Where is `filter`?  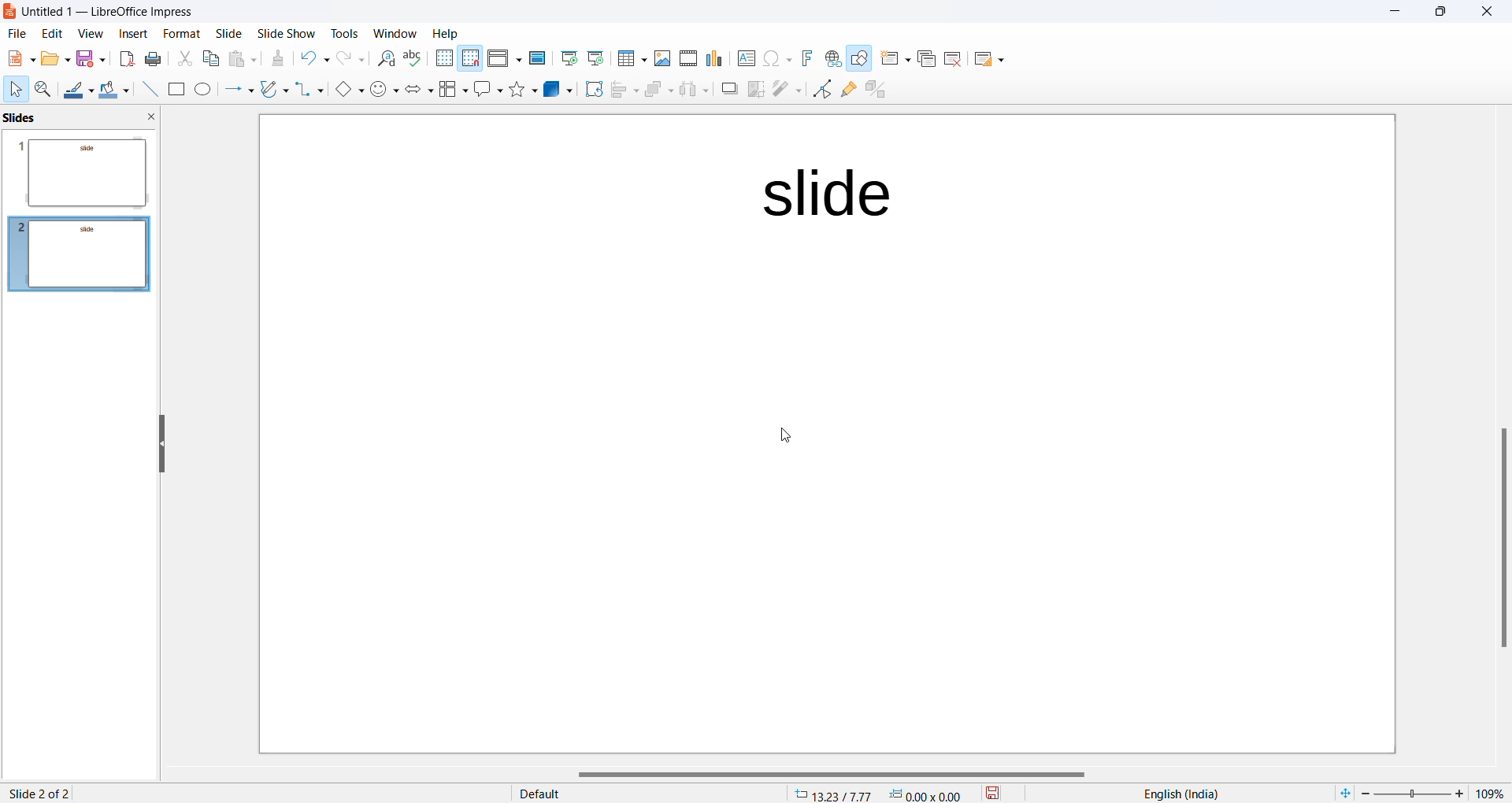
filter is located at coordinates (786, 90).